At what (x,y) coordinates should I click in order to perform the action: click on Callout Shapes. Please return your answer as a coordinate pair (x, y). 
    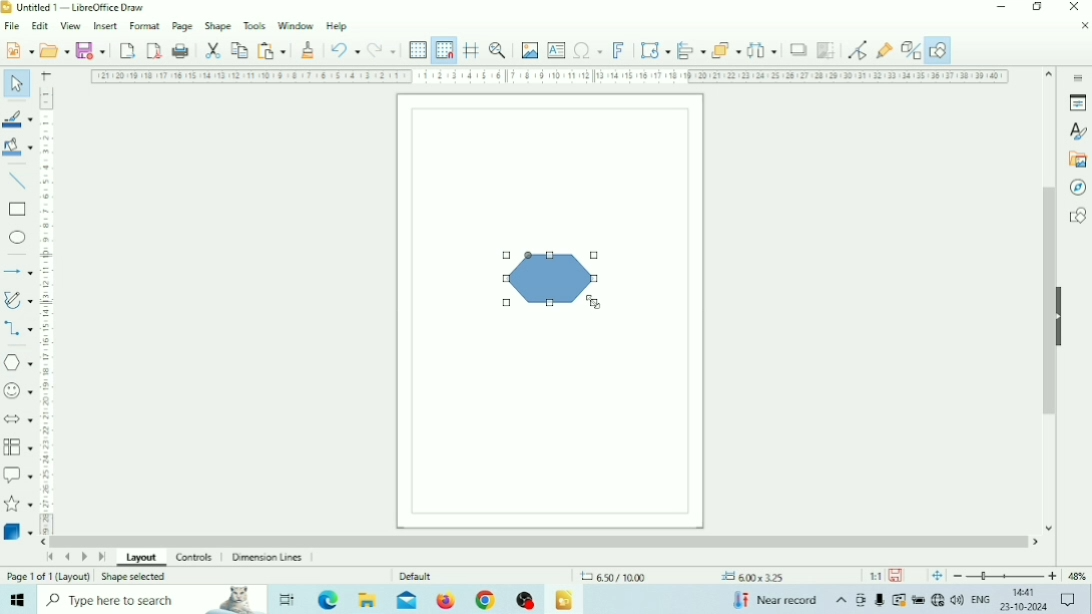
    Looking at the image, I should click on (18, 475).